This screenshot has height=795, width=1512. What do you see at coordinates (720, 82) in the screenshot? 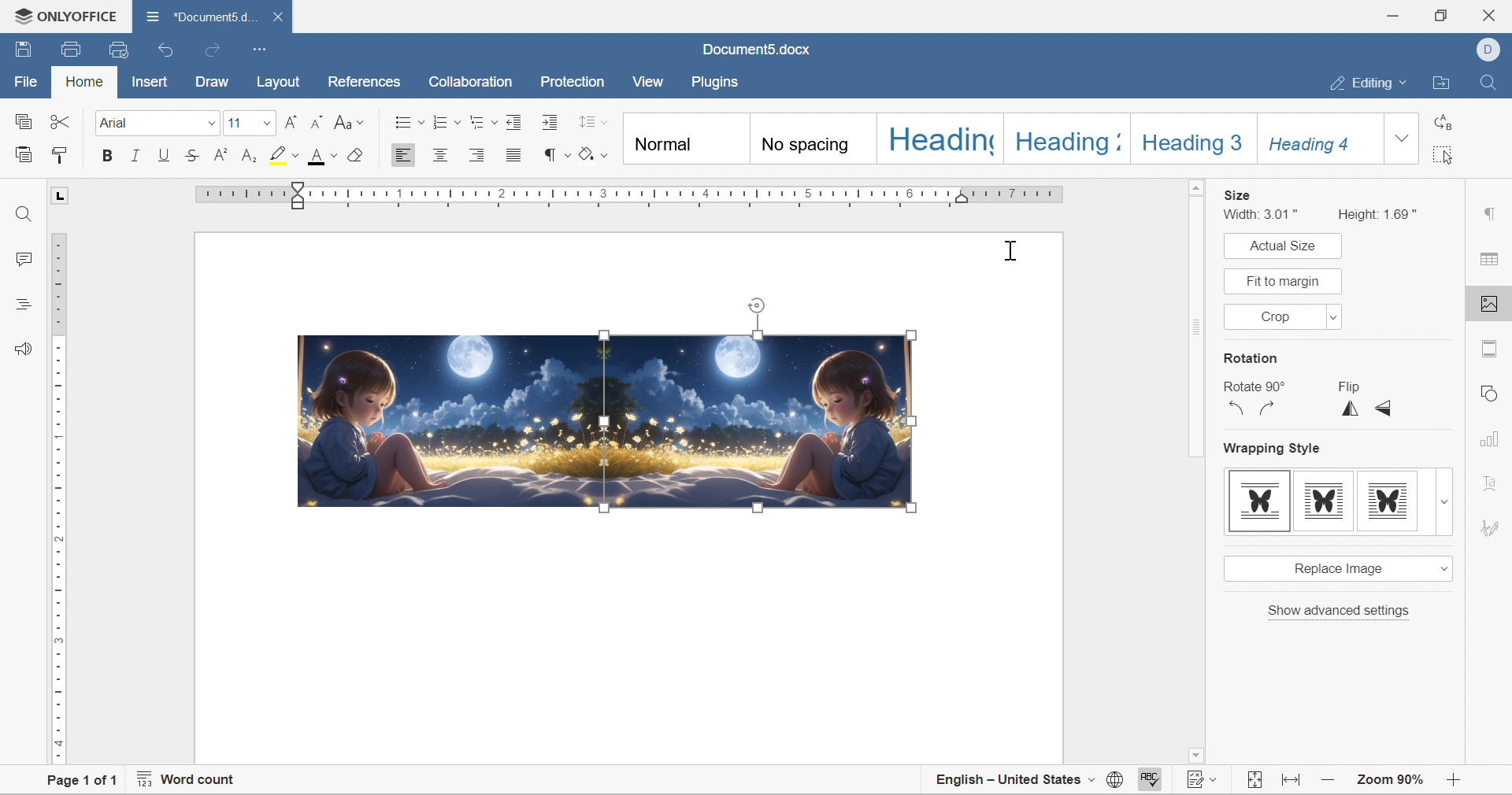
I see `plugins` at bounding box center [720, 82].